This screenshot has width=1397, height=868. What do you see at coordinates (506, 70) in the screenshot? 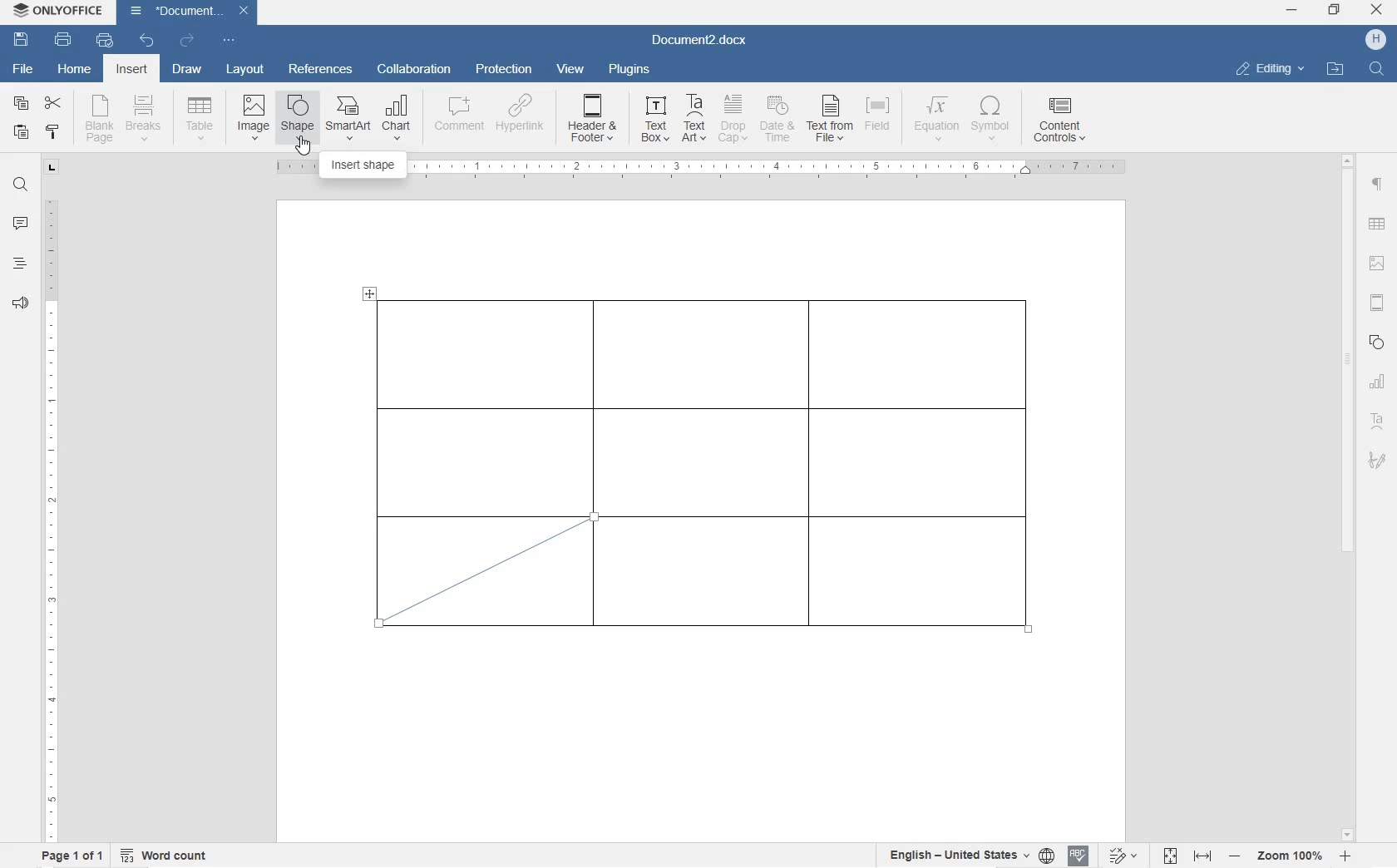
I see `protection` at bounding box center [506, 70].